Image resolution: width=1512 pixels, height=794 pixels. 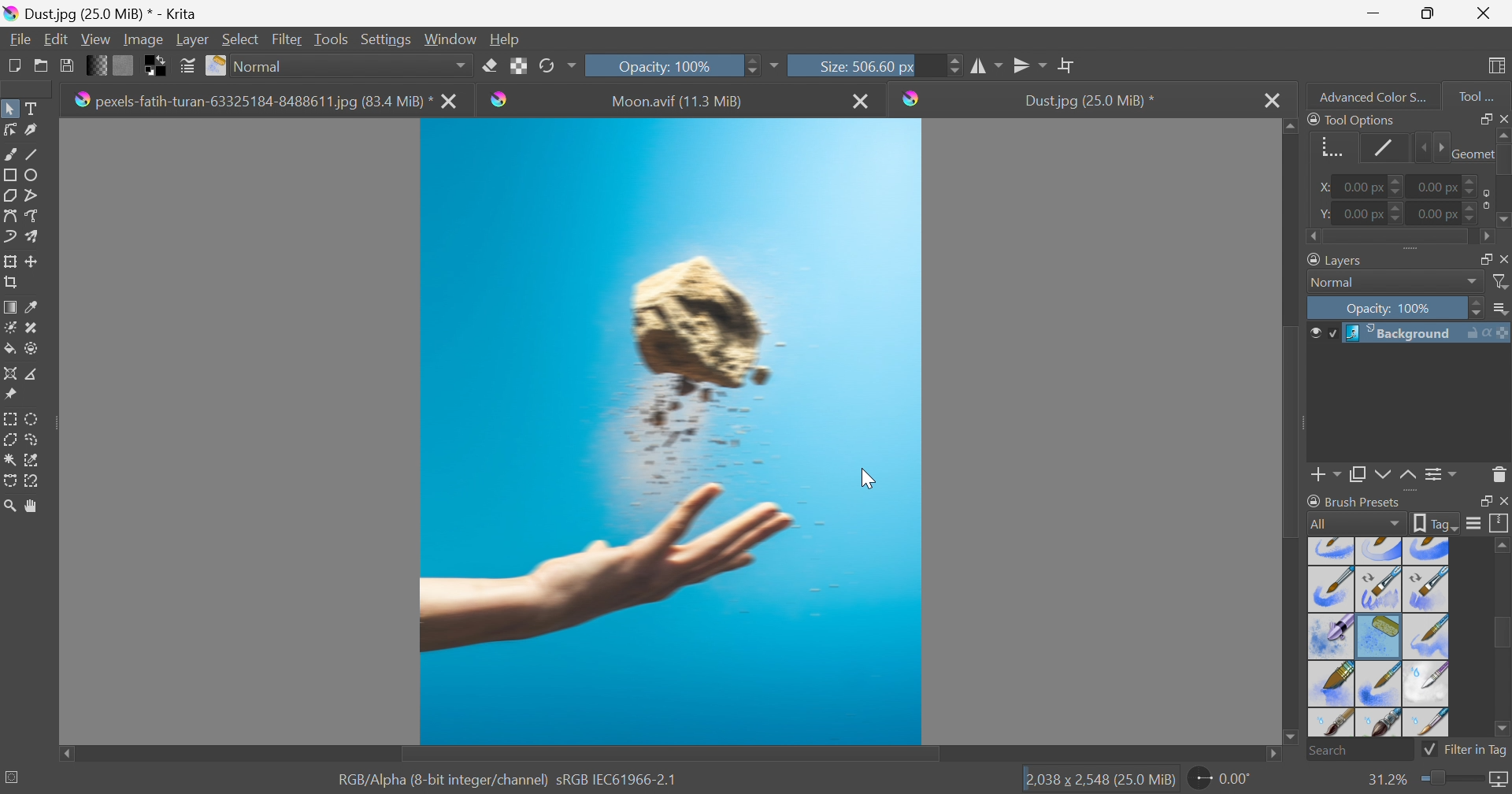 What do you see at coordinates (1364, 214) in the screenshot?
I see `0.00 px` at bounding box center [1364, 214].